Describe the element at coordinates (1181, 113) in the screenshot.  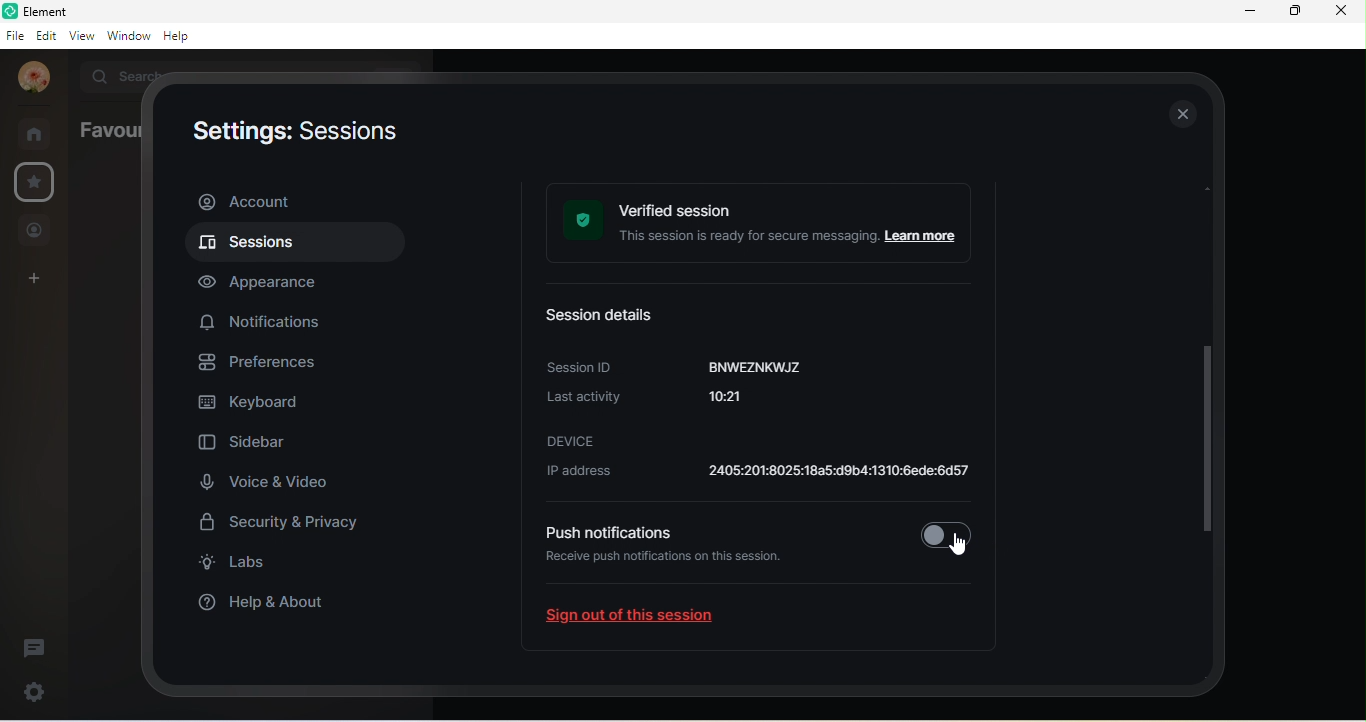
I see `close` at that location.